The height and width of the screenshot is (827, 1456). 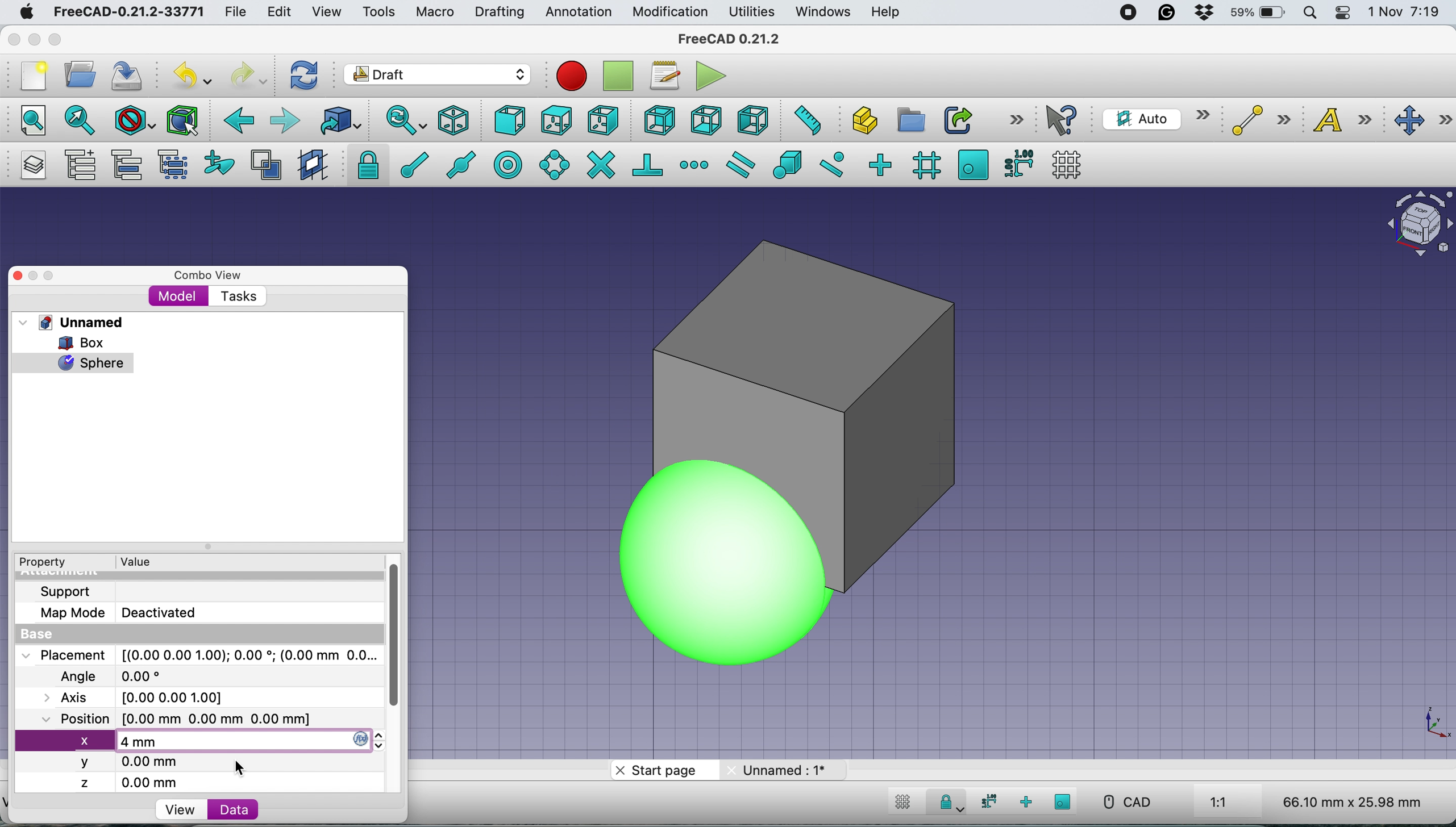 I want to click on value, so click(x=147, y=561).